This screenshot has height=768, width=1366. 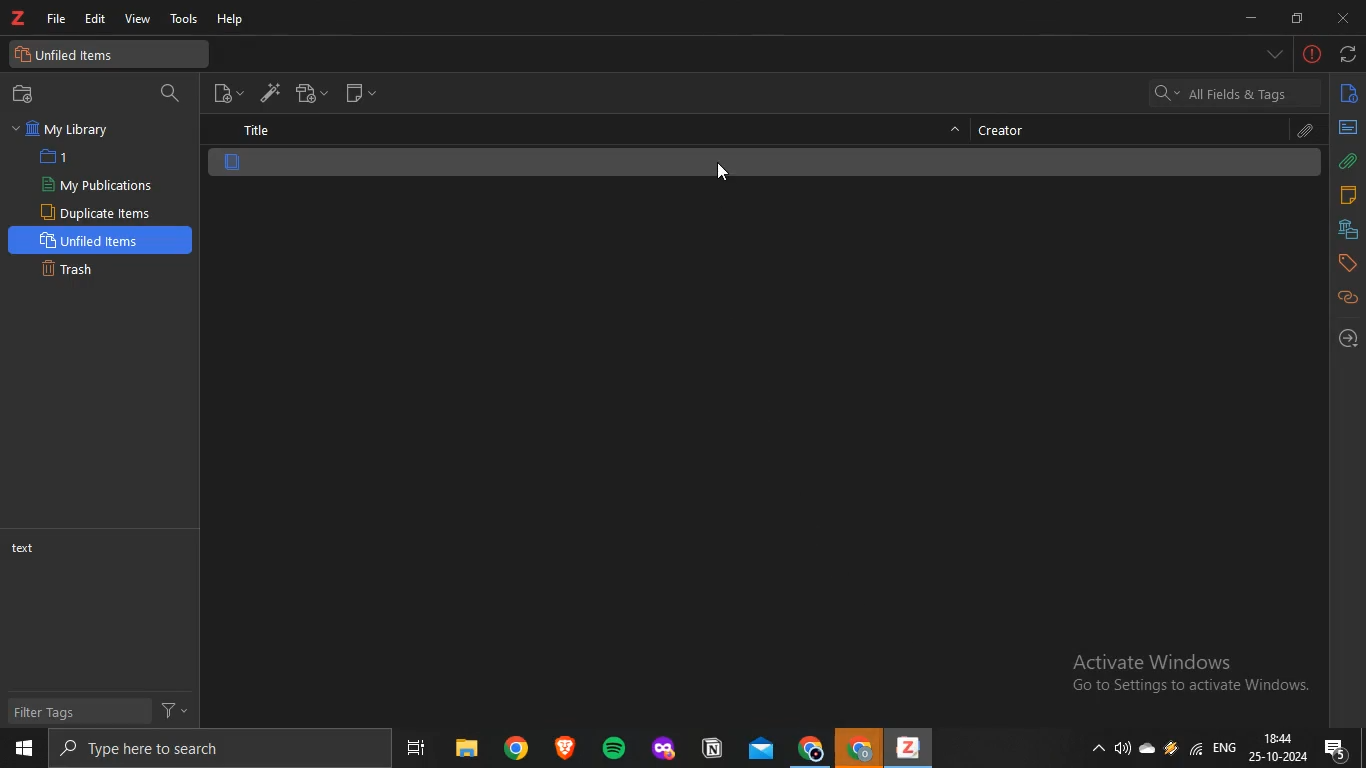 I want to click on view, so click(x=138, y=18).